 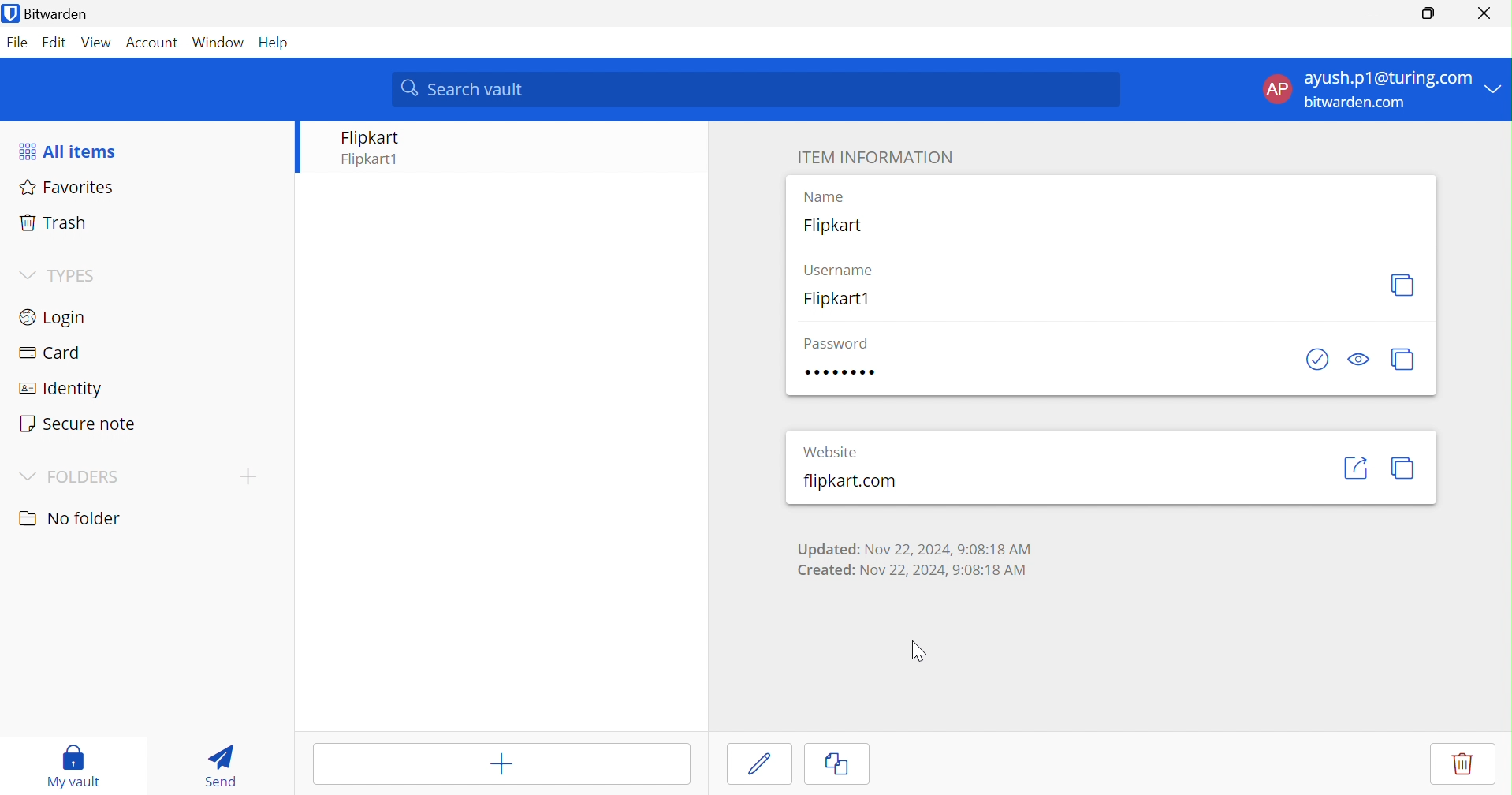 What do you see at coordinates (1469, 765) in the screenshot?
I see `Delete` at bounding box center [1469, 765].